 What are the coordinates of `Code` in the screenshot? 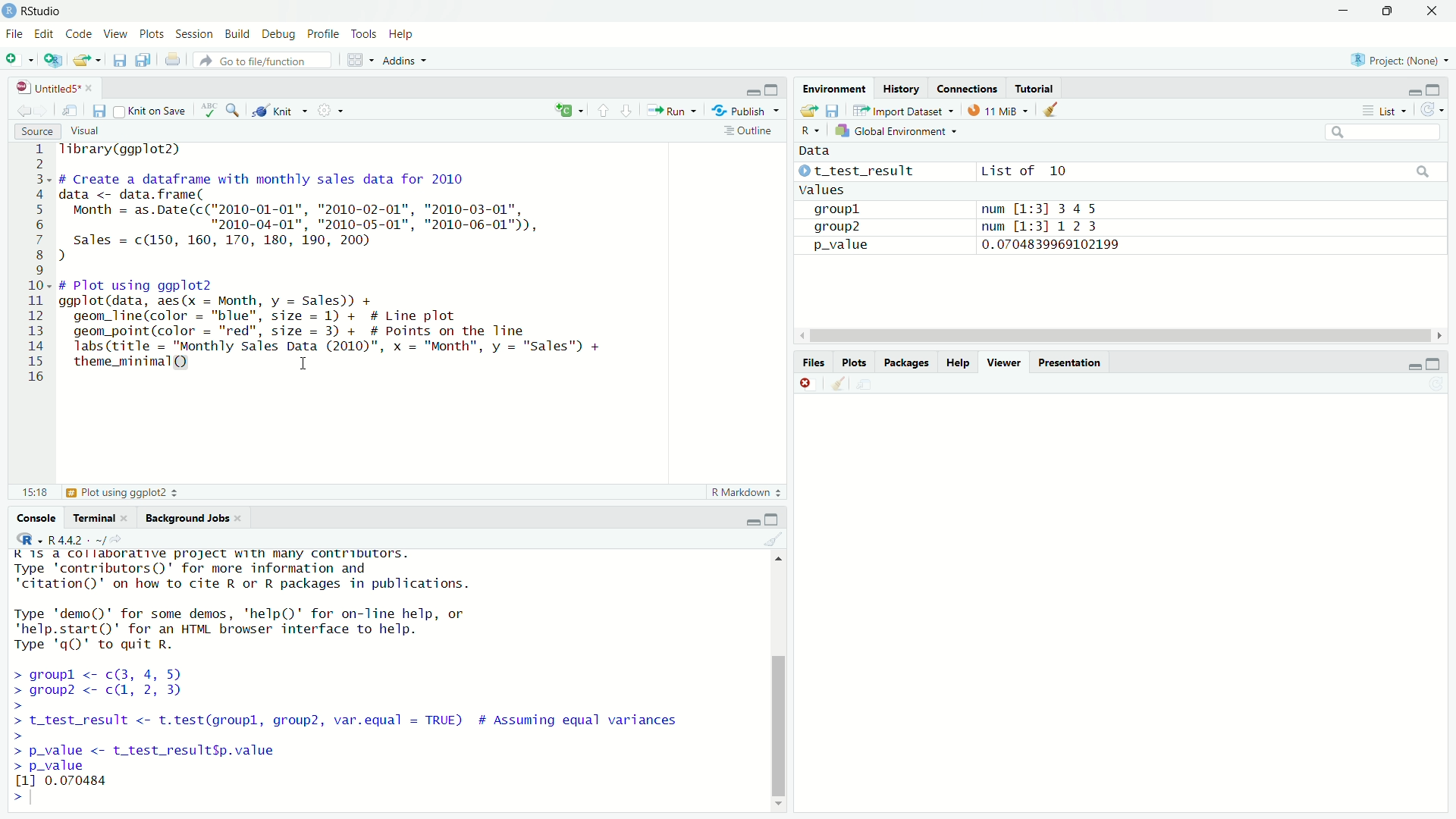 It's located at (80, 32).